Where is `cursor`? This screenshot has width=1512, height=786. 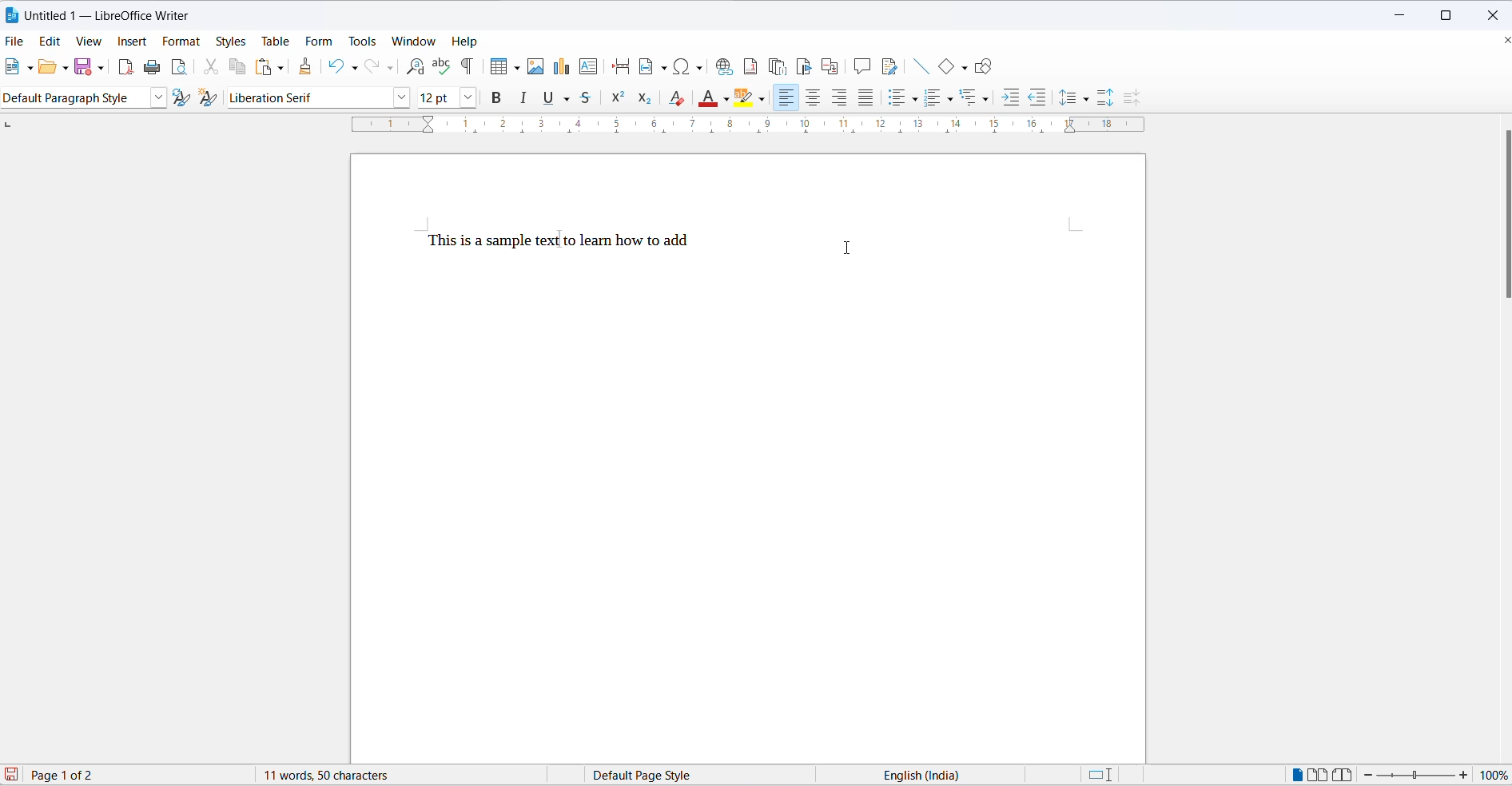
cursor is located at coordinates (806, 64).